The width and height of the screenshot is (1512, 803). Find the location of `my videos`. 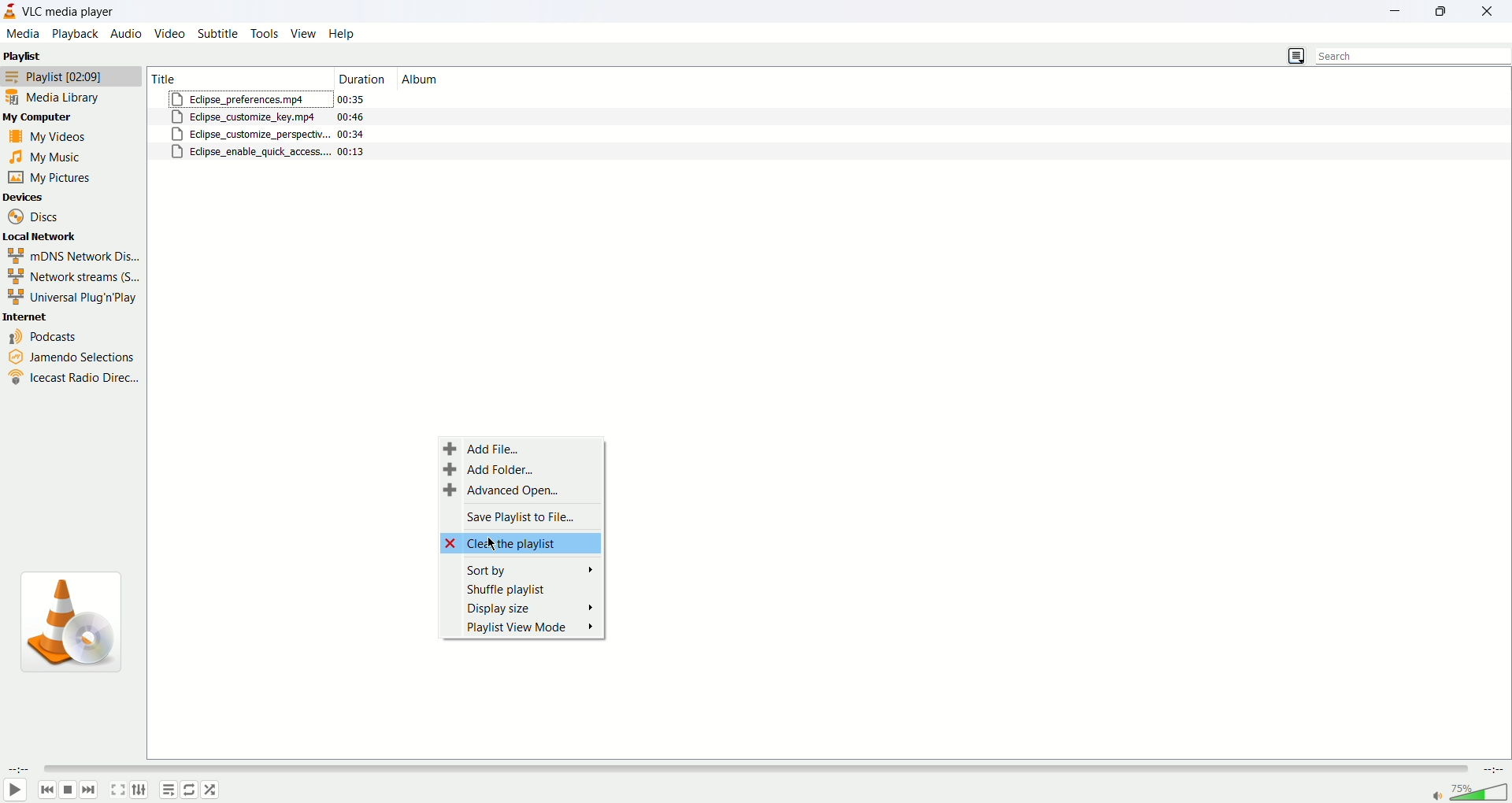

my videos is located at coordinates (52, 139).